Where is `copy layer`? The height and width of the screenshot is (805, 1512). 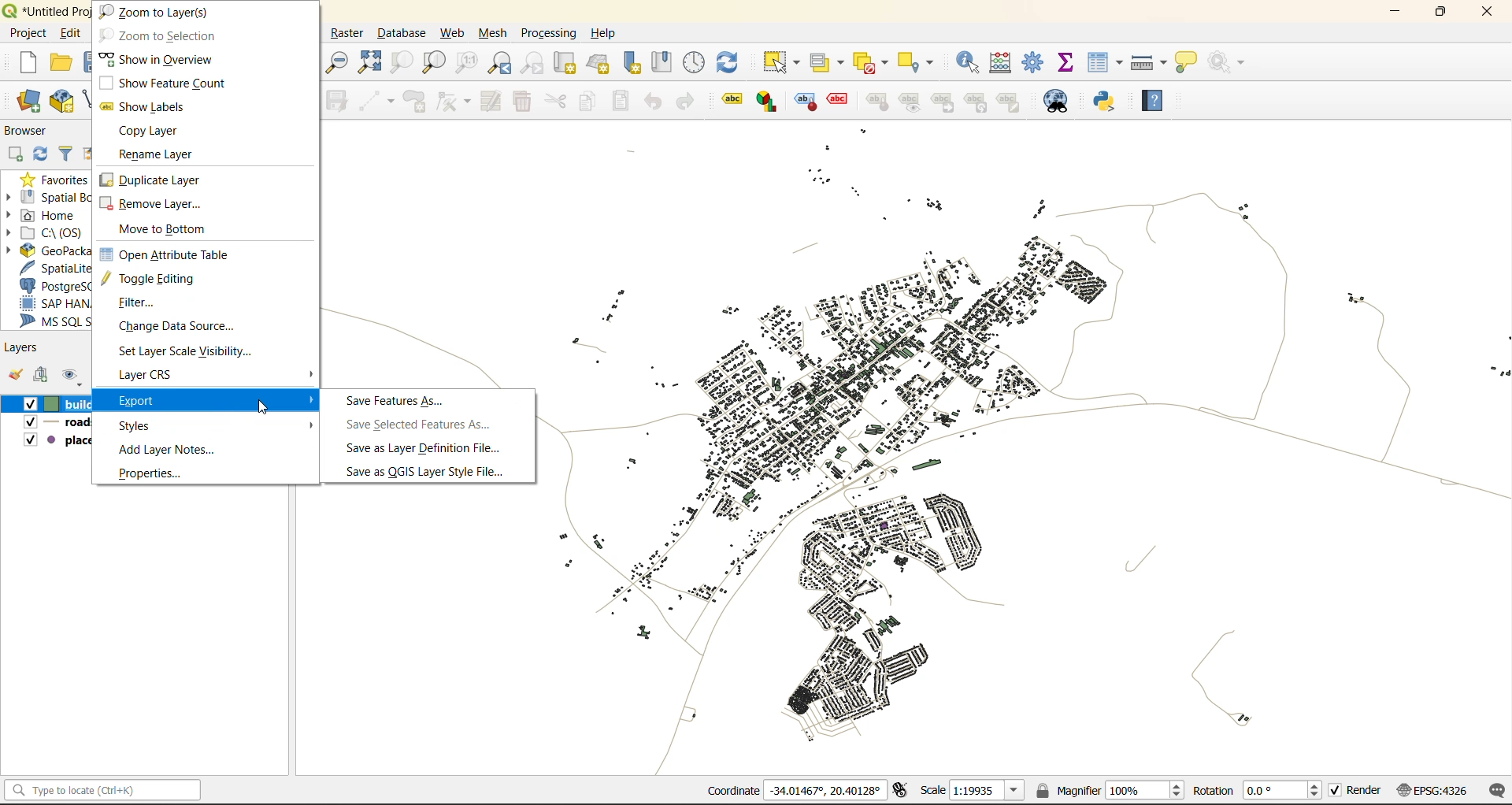 copy layer is located at coordinates (162, 133).